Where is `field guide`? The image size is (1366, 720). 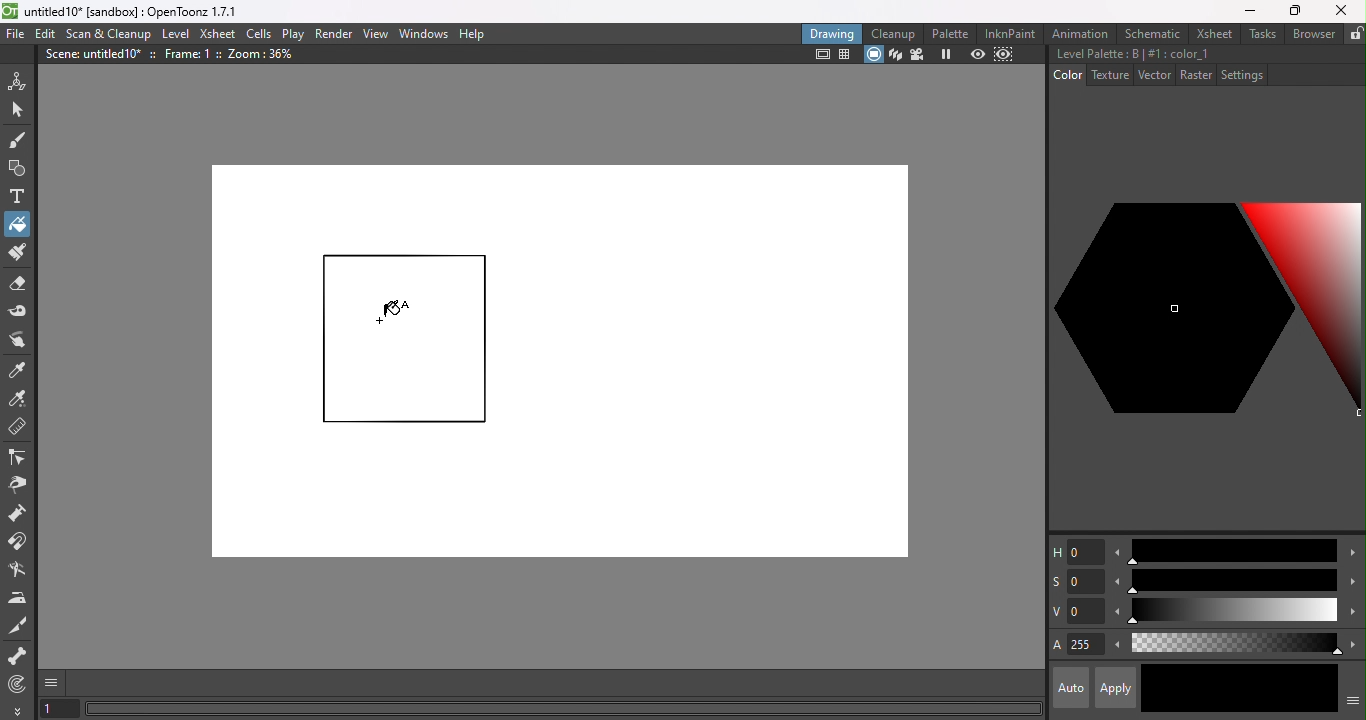
field guide is located at coordinates (846, 56).